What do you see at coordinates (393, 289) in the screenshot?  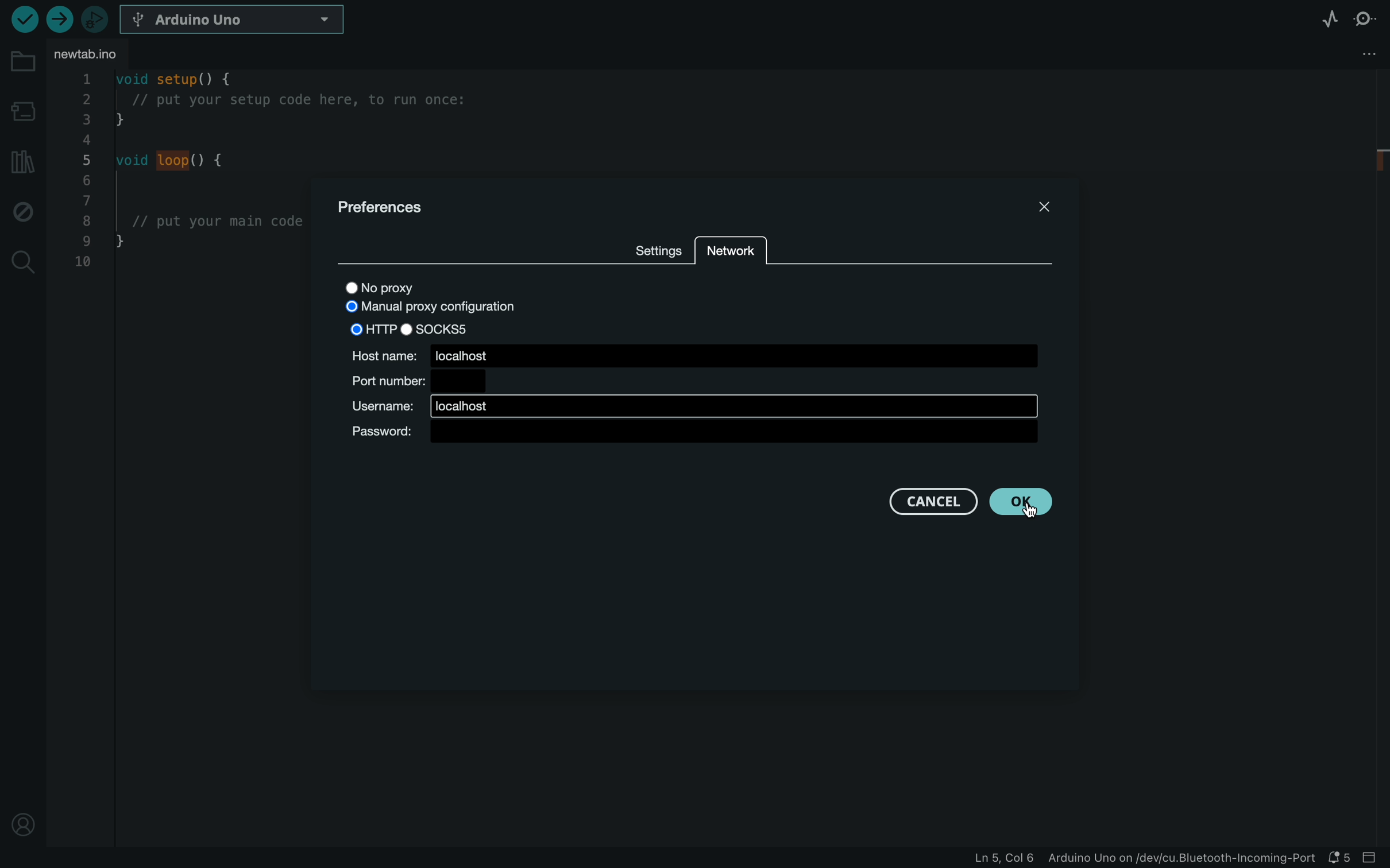 I see `no proxy` at bounding box center [393, 289].